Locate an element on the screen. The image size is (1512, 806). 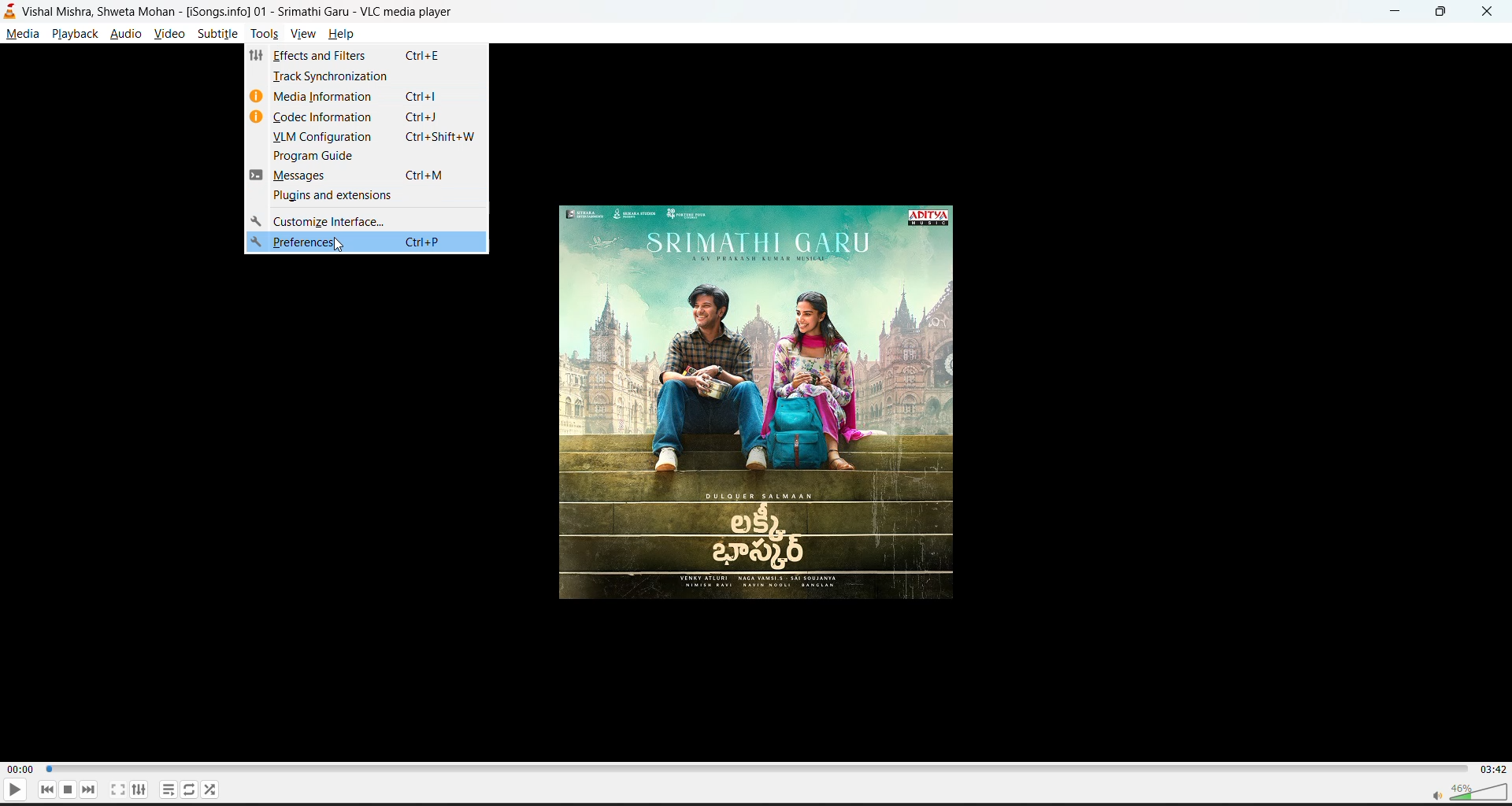
subtitle is located at coordinates (218, 35).